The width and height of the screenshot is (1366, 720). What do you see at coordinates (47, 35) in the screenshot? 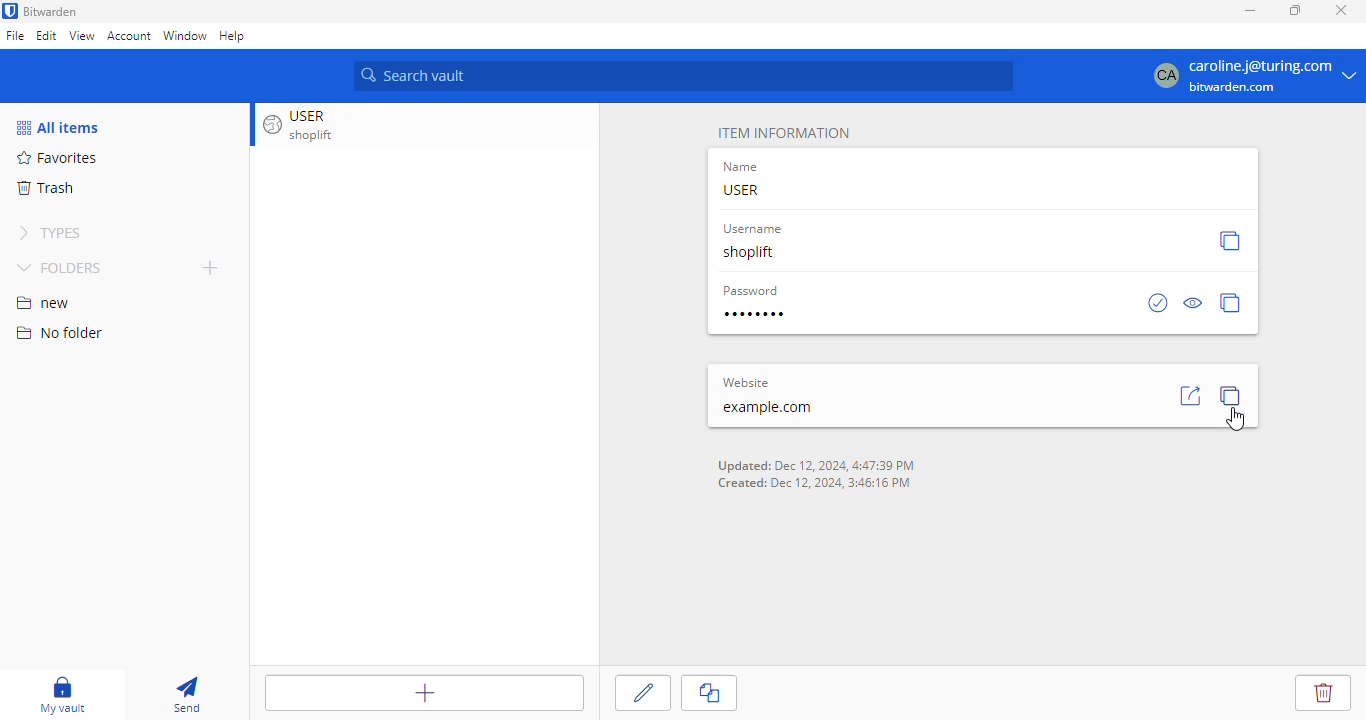
I see `edit` at bounding box center [47, 35].